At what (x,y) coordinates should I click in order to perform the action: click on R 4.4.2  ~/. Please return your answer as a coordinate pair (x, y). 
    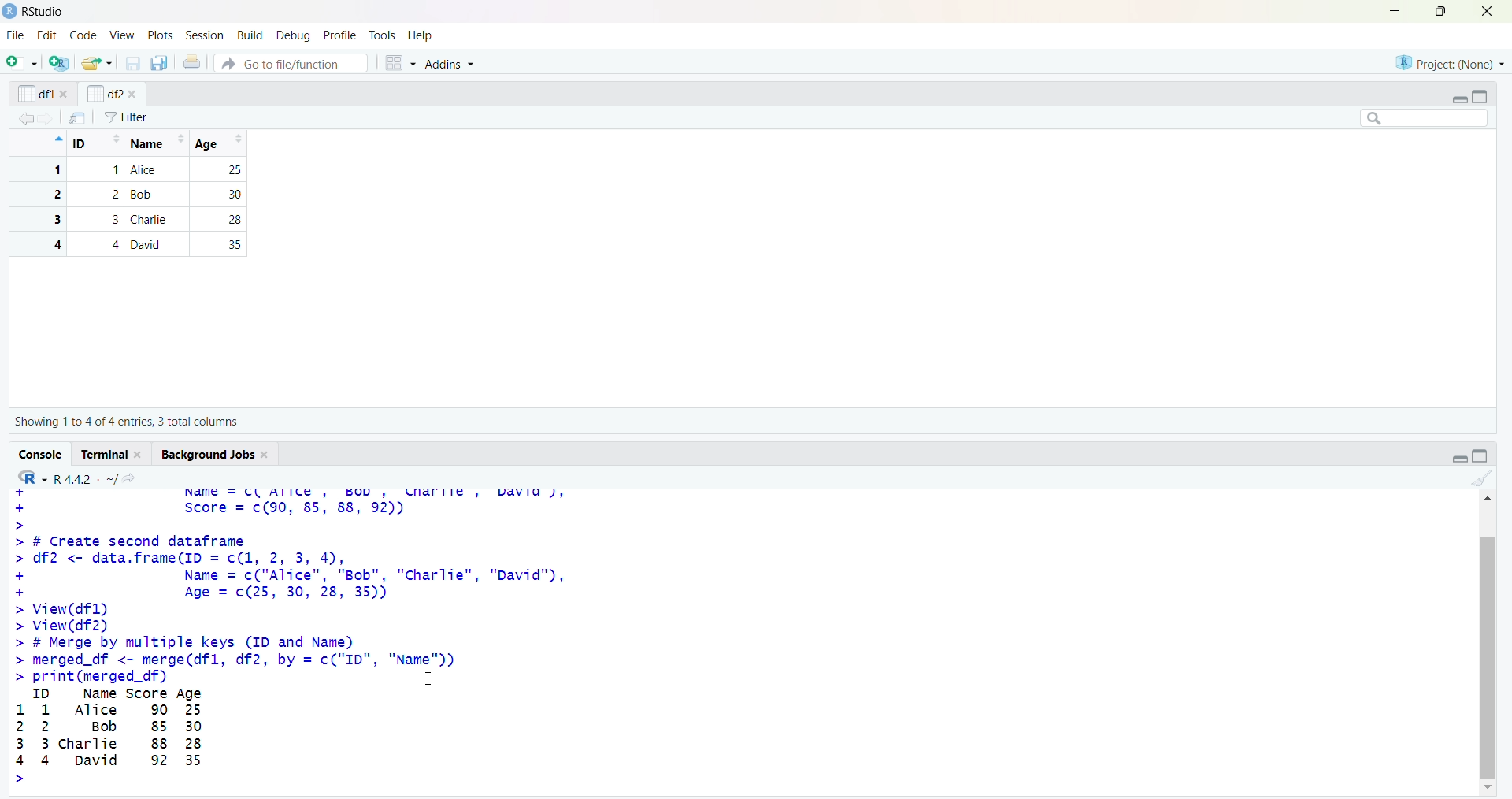
    Looking at the image, I should click on (85, 479).